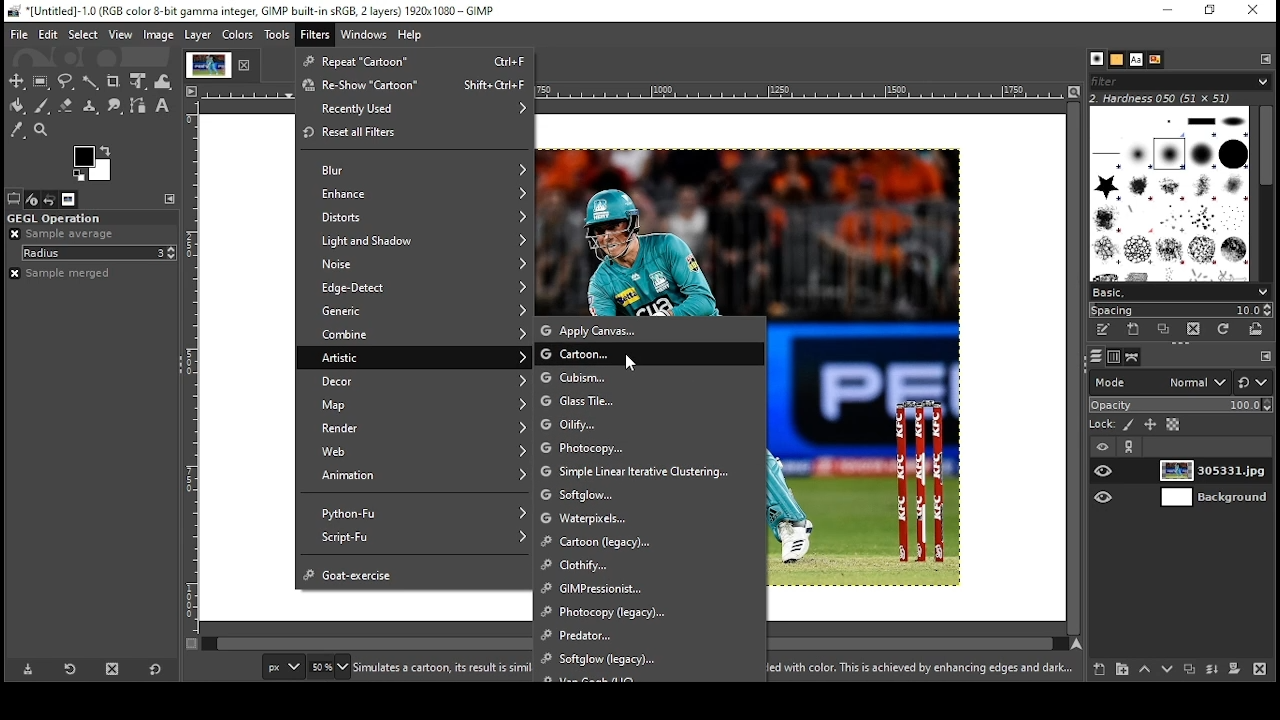 Image resolution: width=1280 pixels, height=720 pixels. What do you see at coordinates (114, 82) in the screenshot?
I see `crop tool` at bounding box center [114, 82].